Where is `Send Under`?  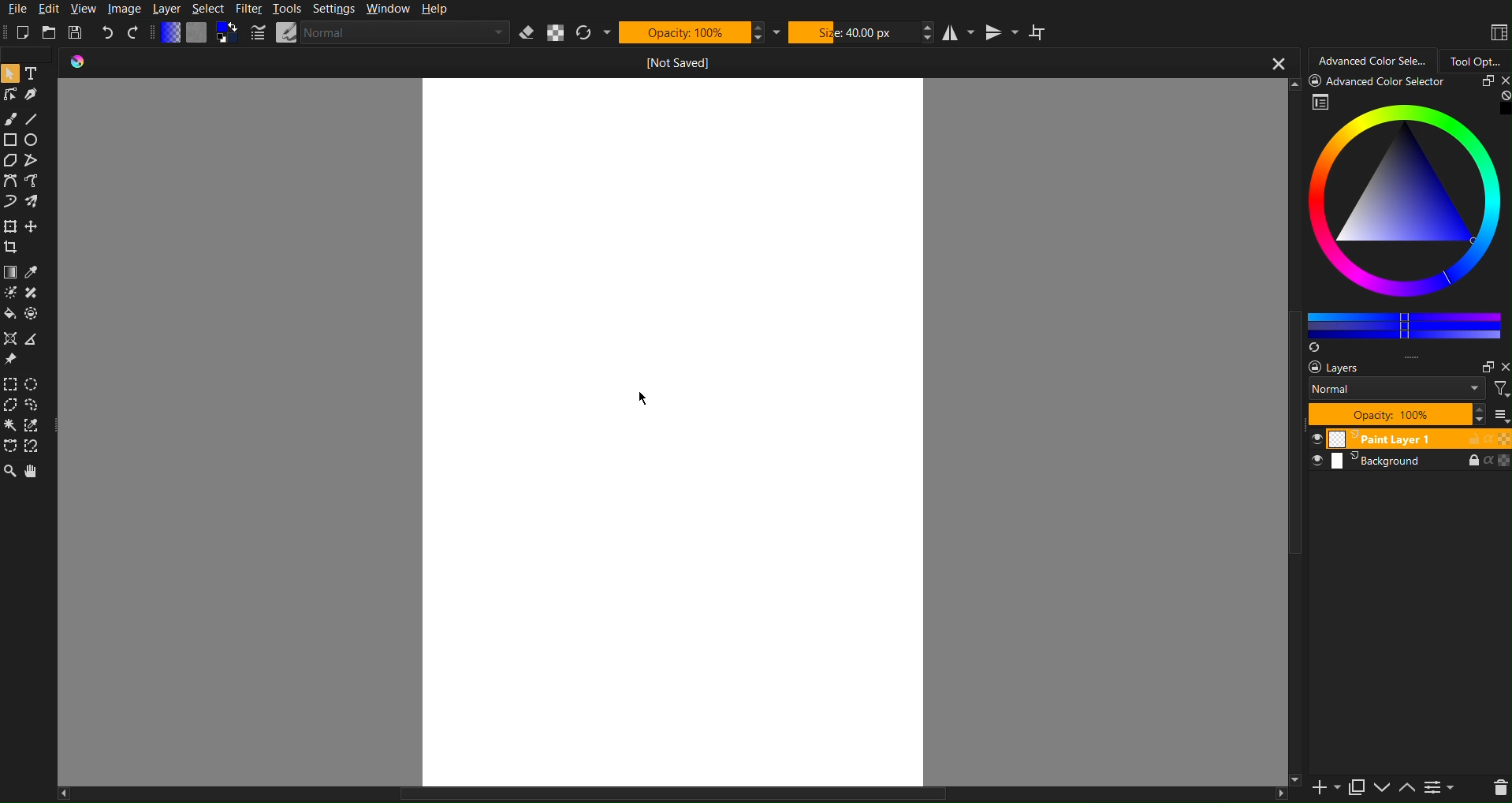 Send Under is located at coordinates (1384, 788).